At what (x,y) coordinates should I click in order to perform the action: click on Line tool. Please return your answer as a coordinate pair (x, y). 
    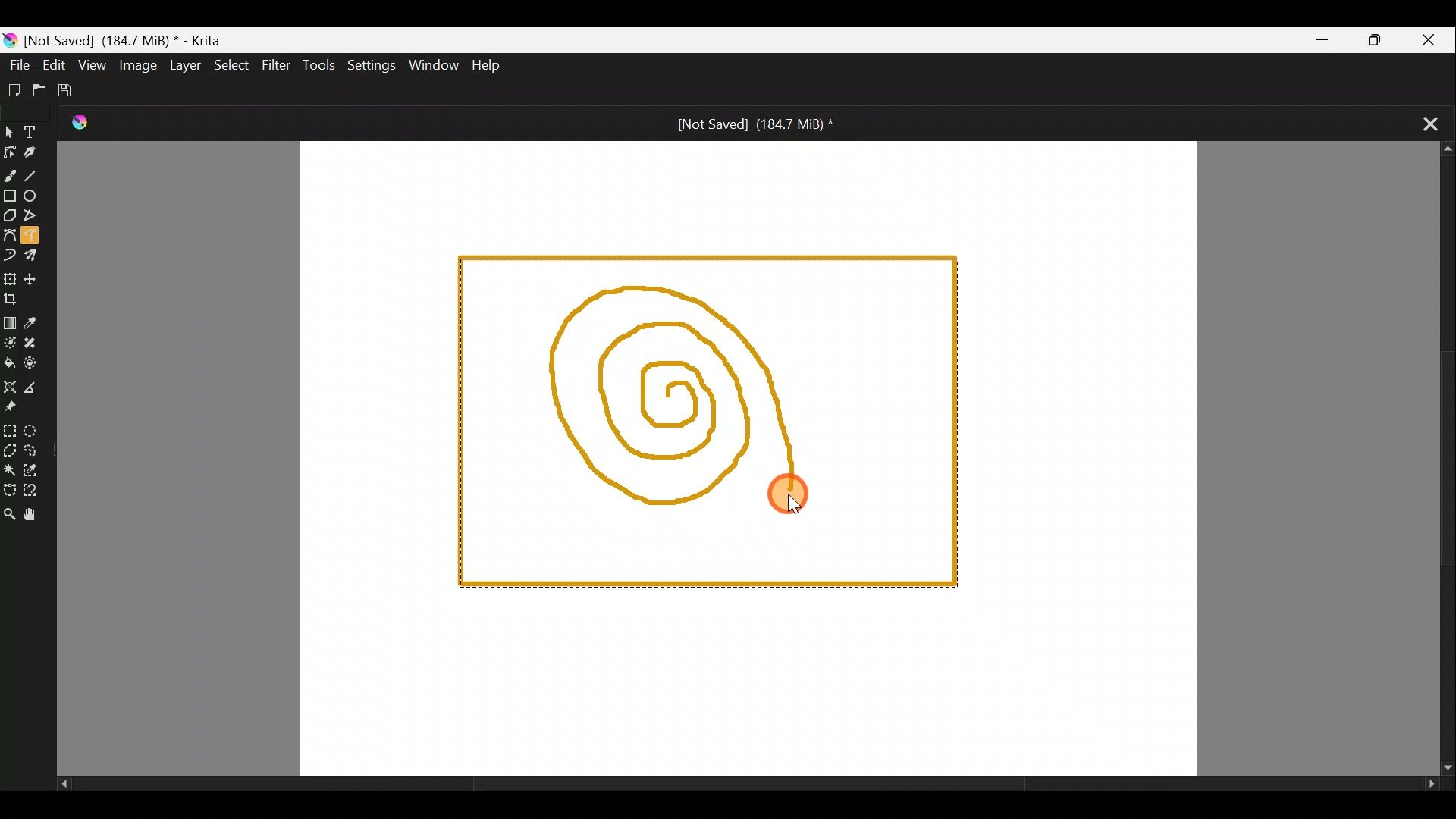
    Looking at the image, I should click on (33, 175).